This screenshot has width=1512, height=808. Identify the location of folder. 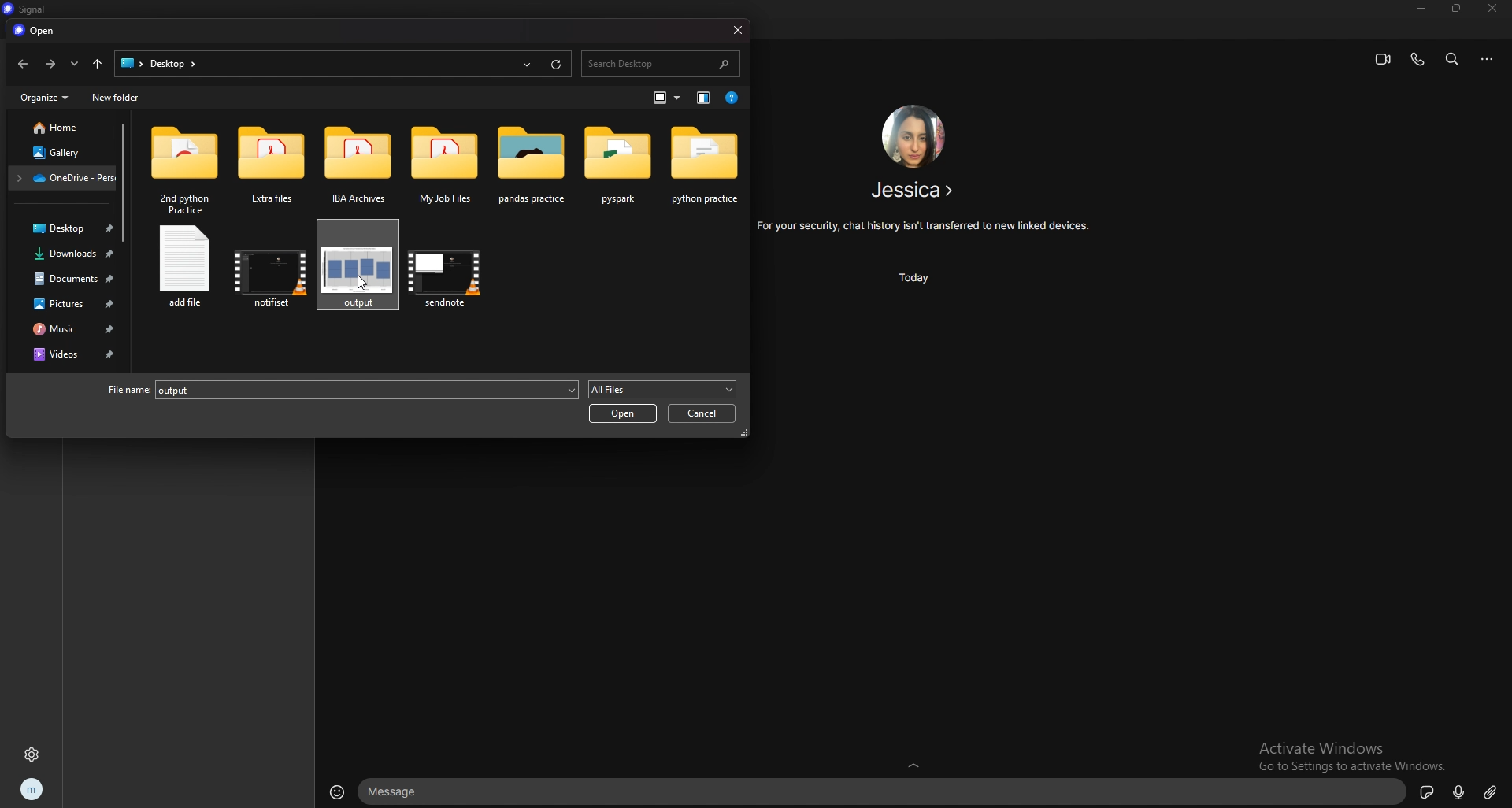
(535, 165).